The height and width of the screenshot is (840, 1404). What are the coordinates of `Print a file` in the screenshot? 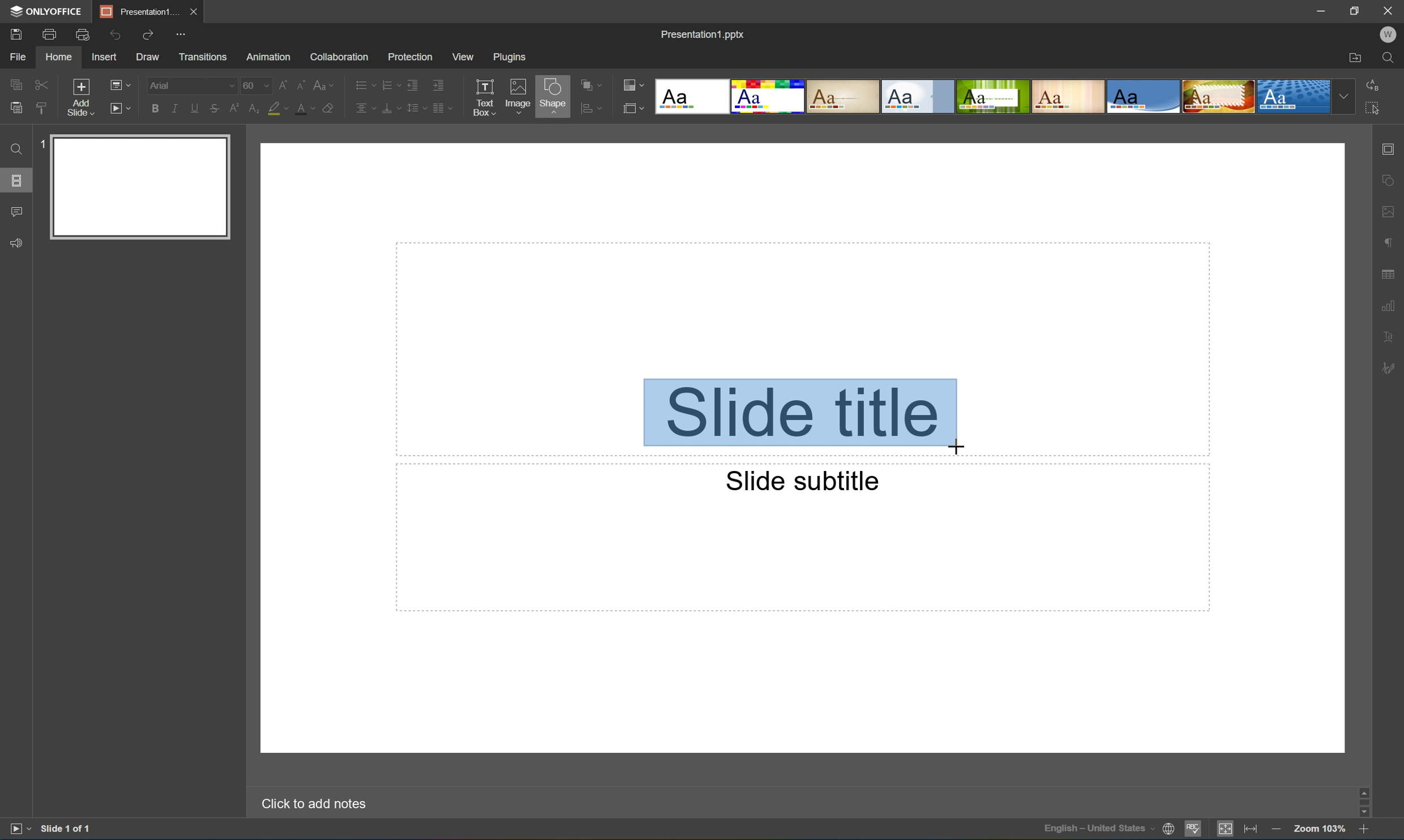 It's located at (50, 34).